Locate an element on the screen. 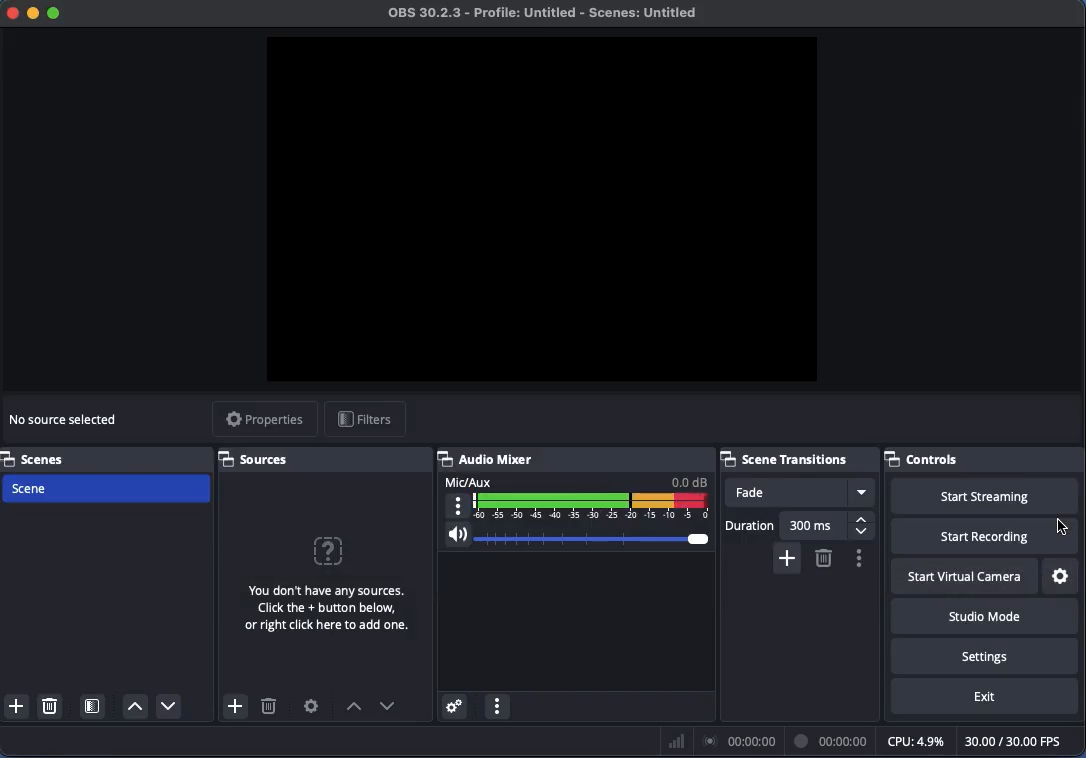 This screenshot has height=758, width=1086. Controls is located at coordinates (983, 458).